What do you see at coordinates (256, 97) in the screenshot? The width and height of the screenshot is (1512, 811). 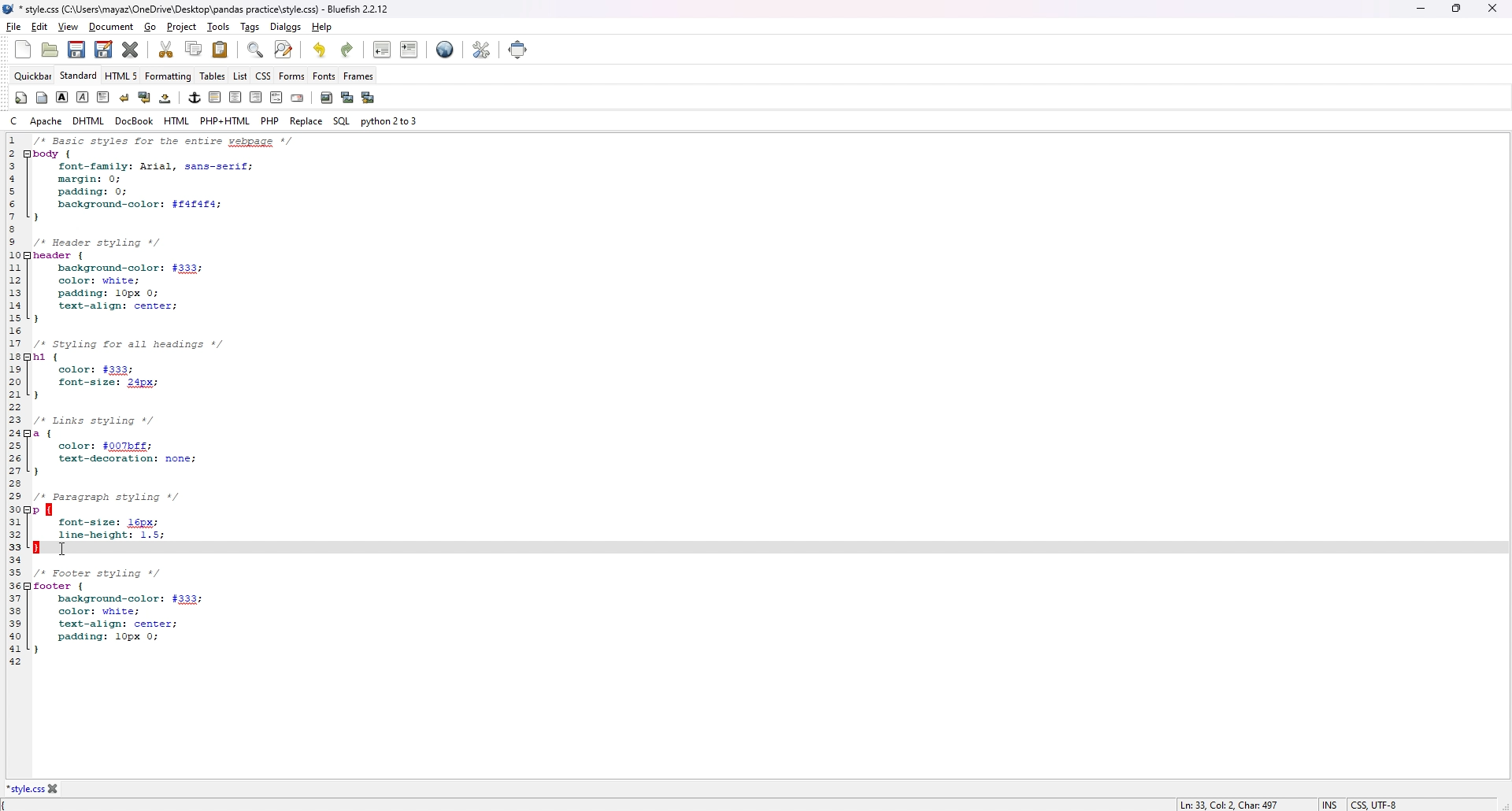 I see `right justify` at bounding box center [256, 97].